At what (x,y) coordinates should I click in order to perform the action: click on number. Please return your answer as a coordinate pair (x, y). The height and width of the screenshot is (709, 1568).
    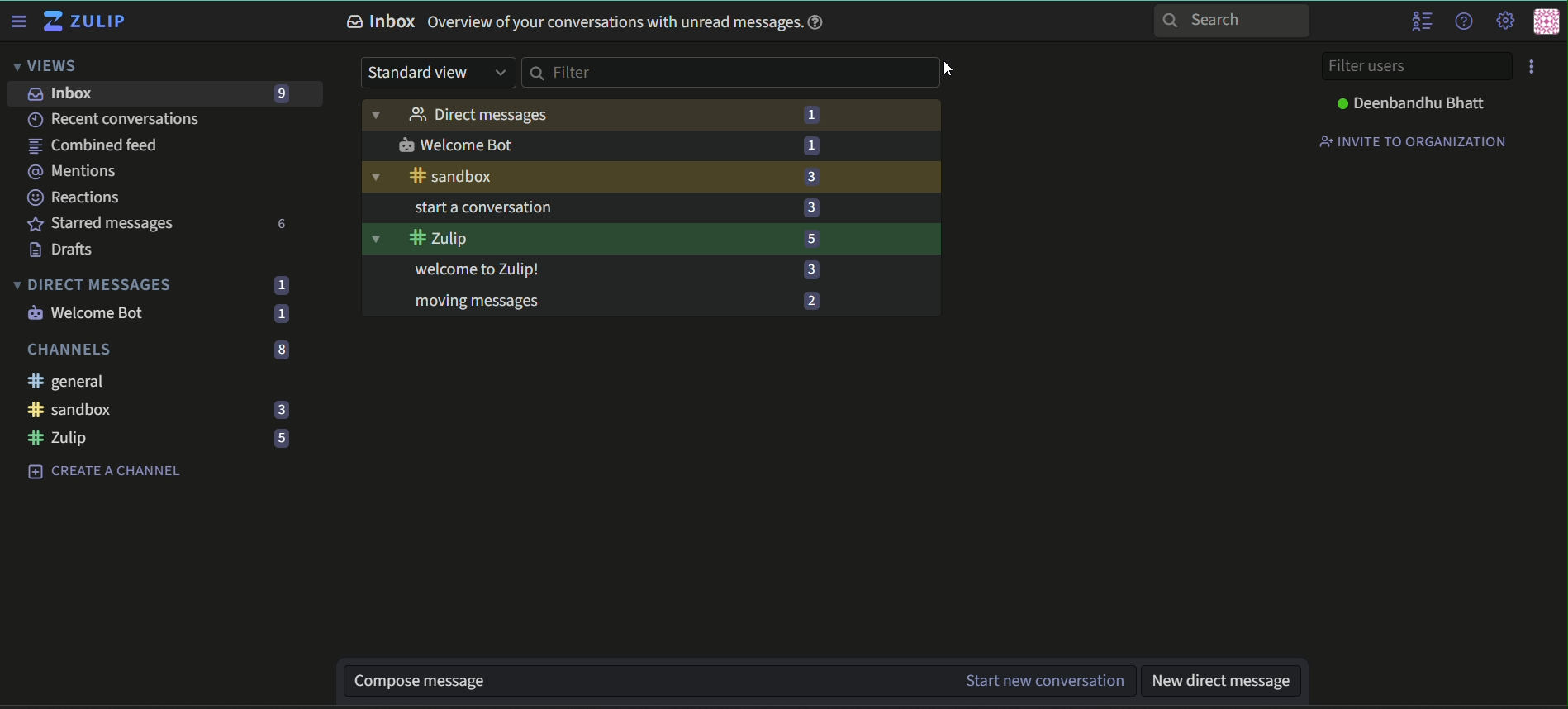
    Looking at the image, I should click on (807, 207).